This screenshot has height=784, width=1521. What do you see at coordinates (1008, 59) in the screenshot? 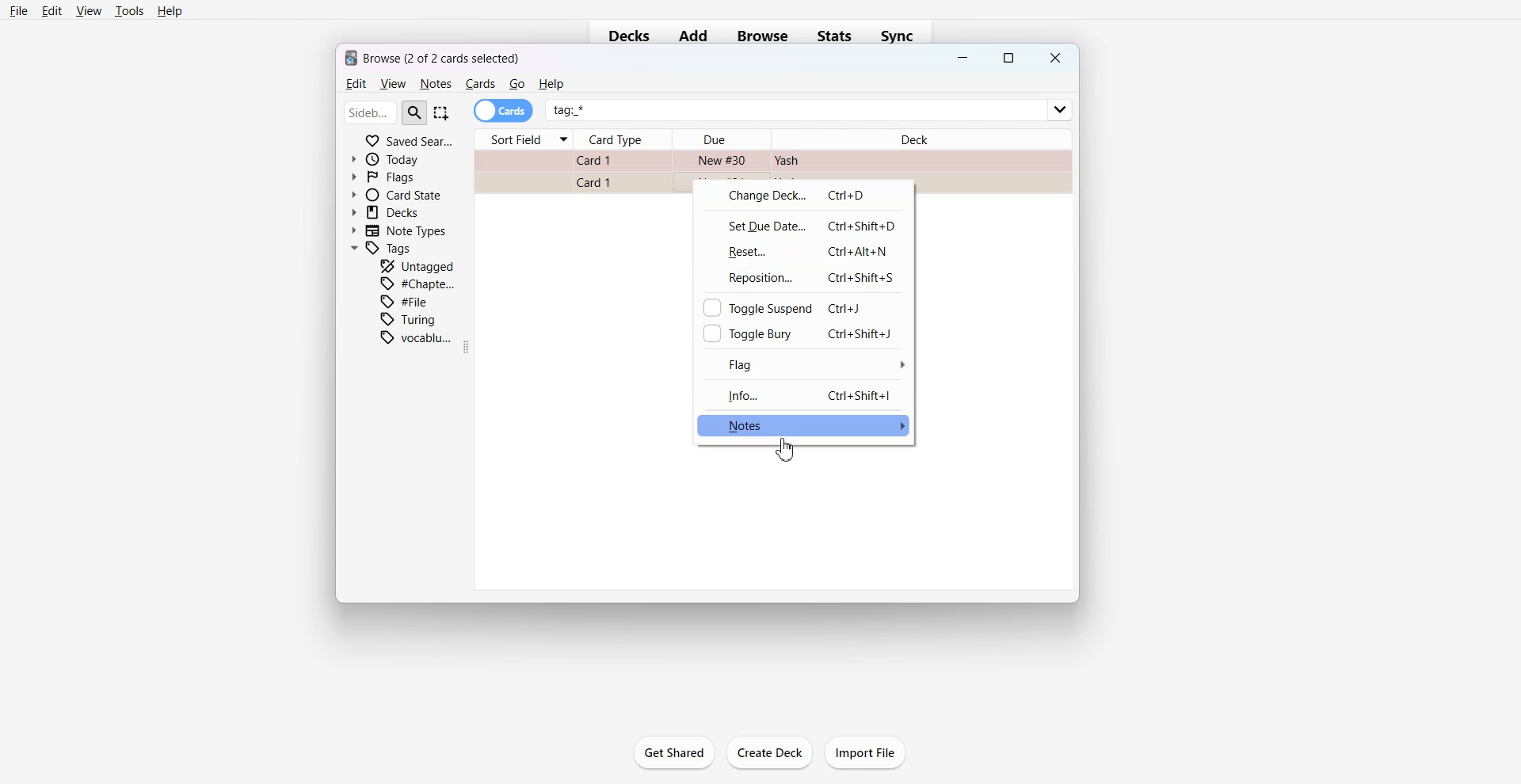
I see `Maximize` at bounding box center [1008, 59].